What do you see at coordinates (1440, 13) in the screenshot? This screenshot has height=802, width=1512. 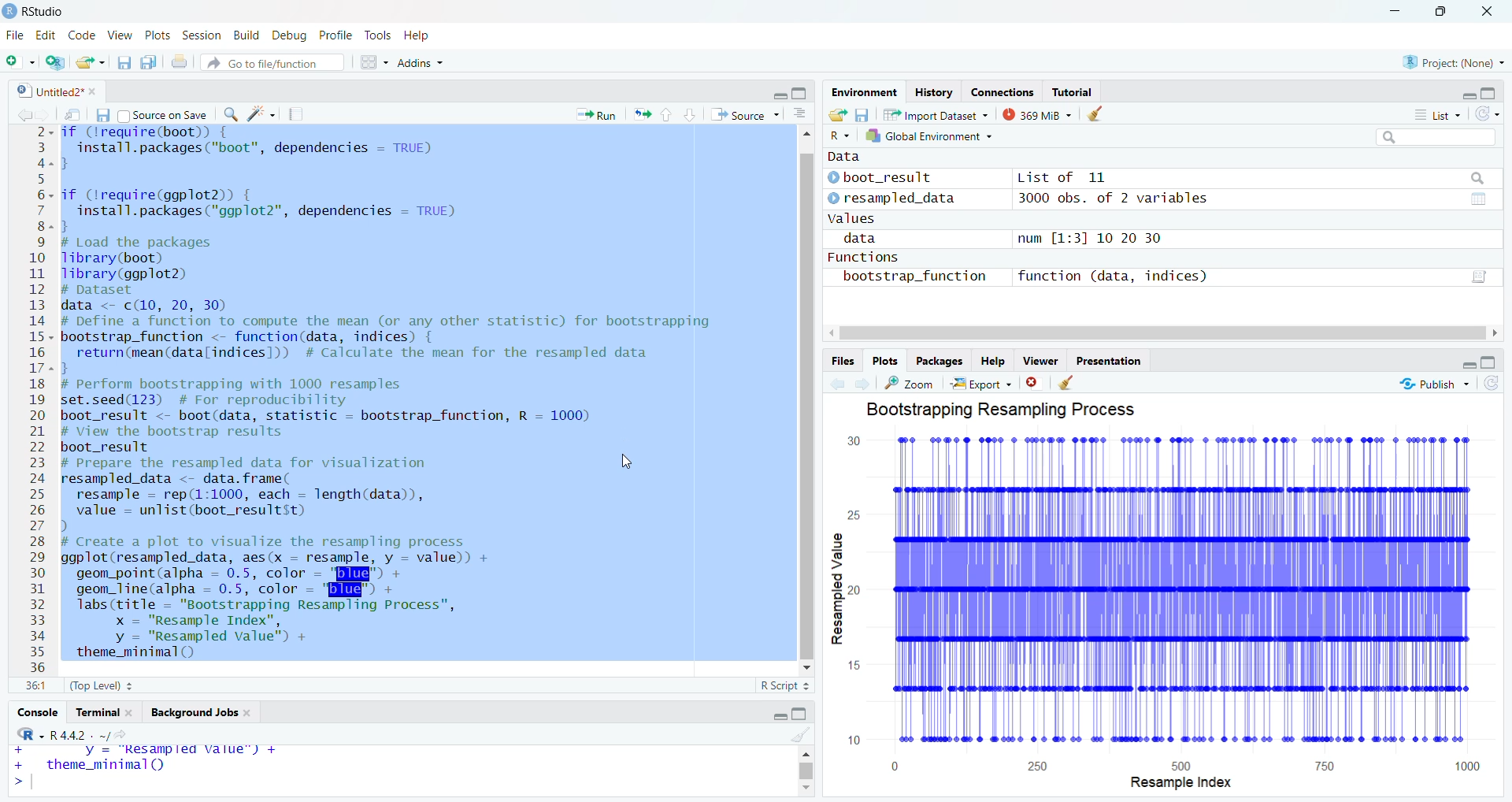 I see `maximize` at bounding box center [1440, 13].